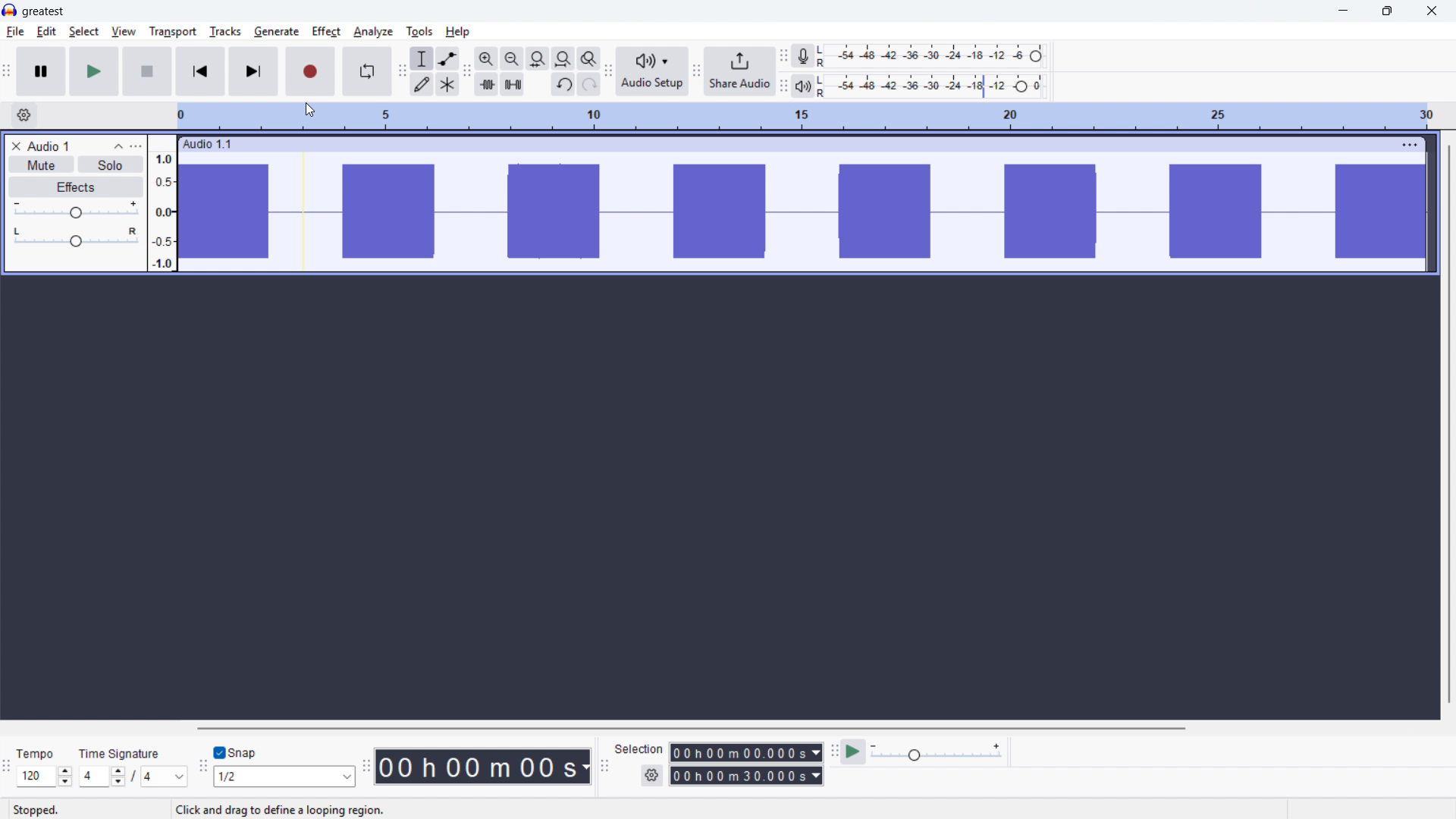 The height and width of the screenshot is (819, 1456). I want to click on recording meter, so click(802, 55).